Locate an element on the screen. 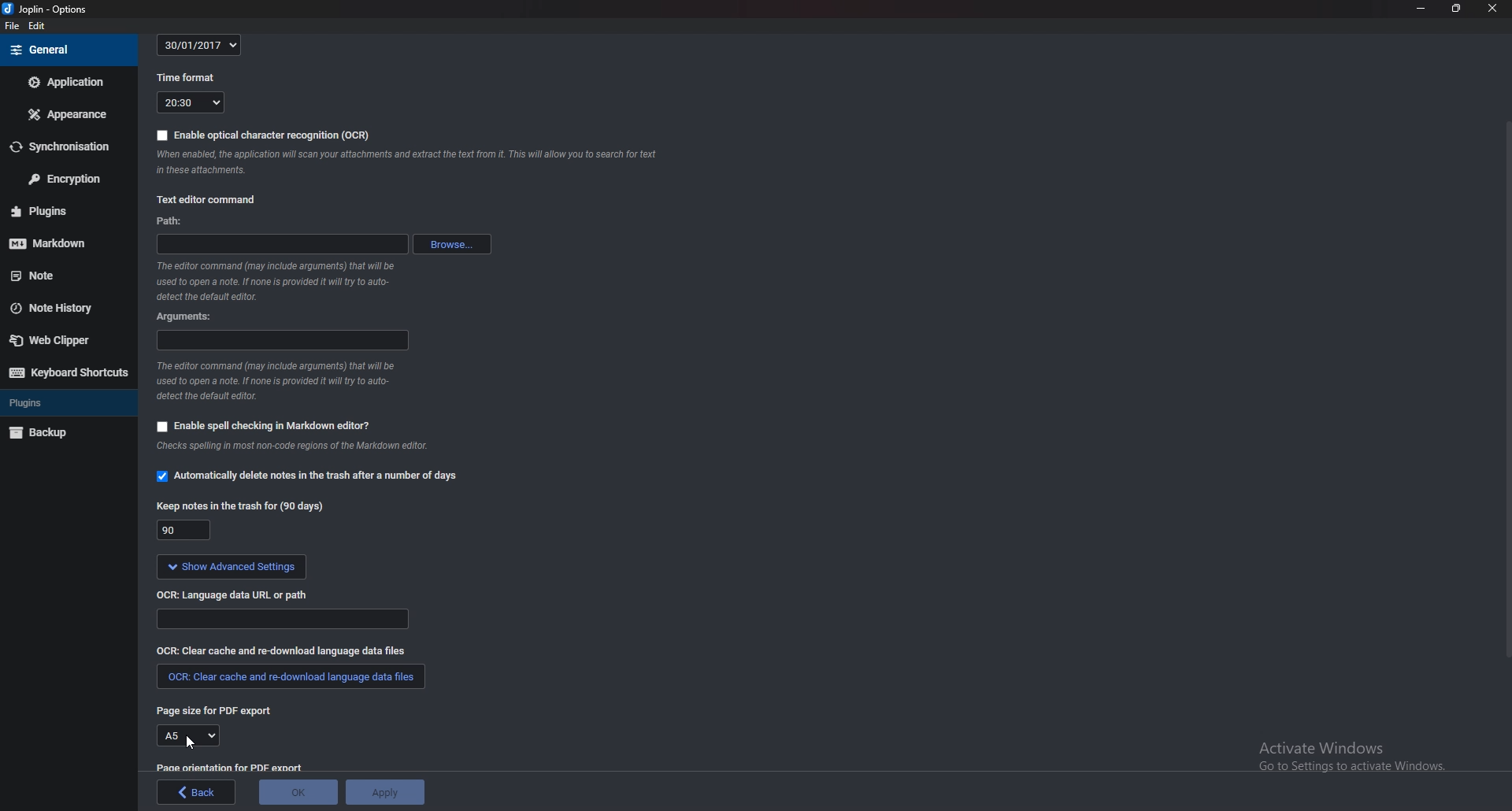 This screenshot has height=811, width=1512. file is located at coordinates (13, 26).